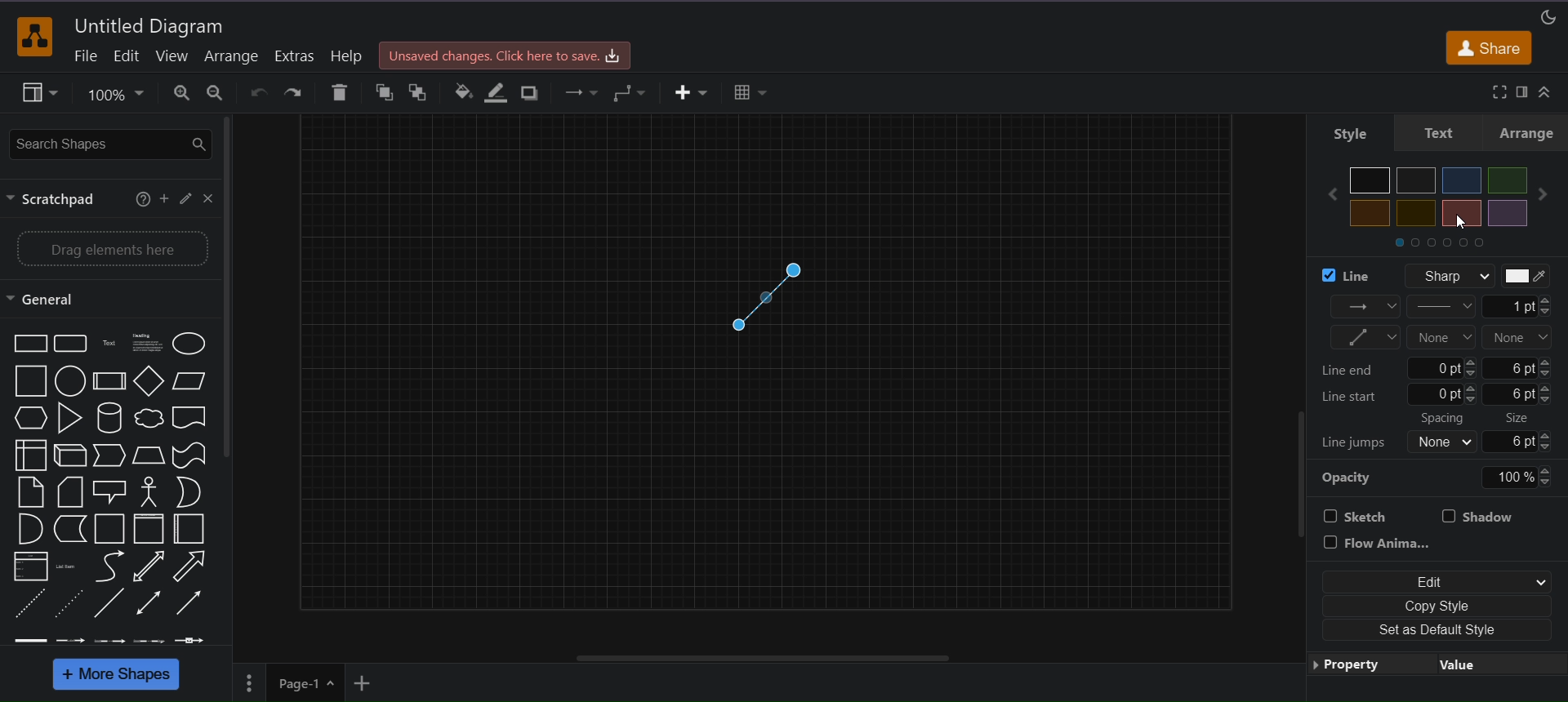  What do you see at coordinates (767, 658) in the screenshot?
I see `horizontal scroll bar` at bounding box center [767, 658].